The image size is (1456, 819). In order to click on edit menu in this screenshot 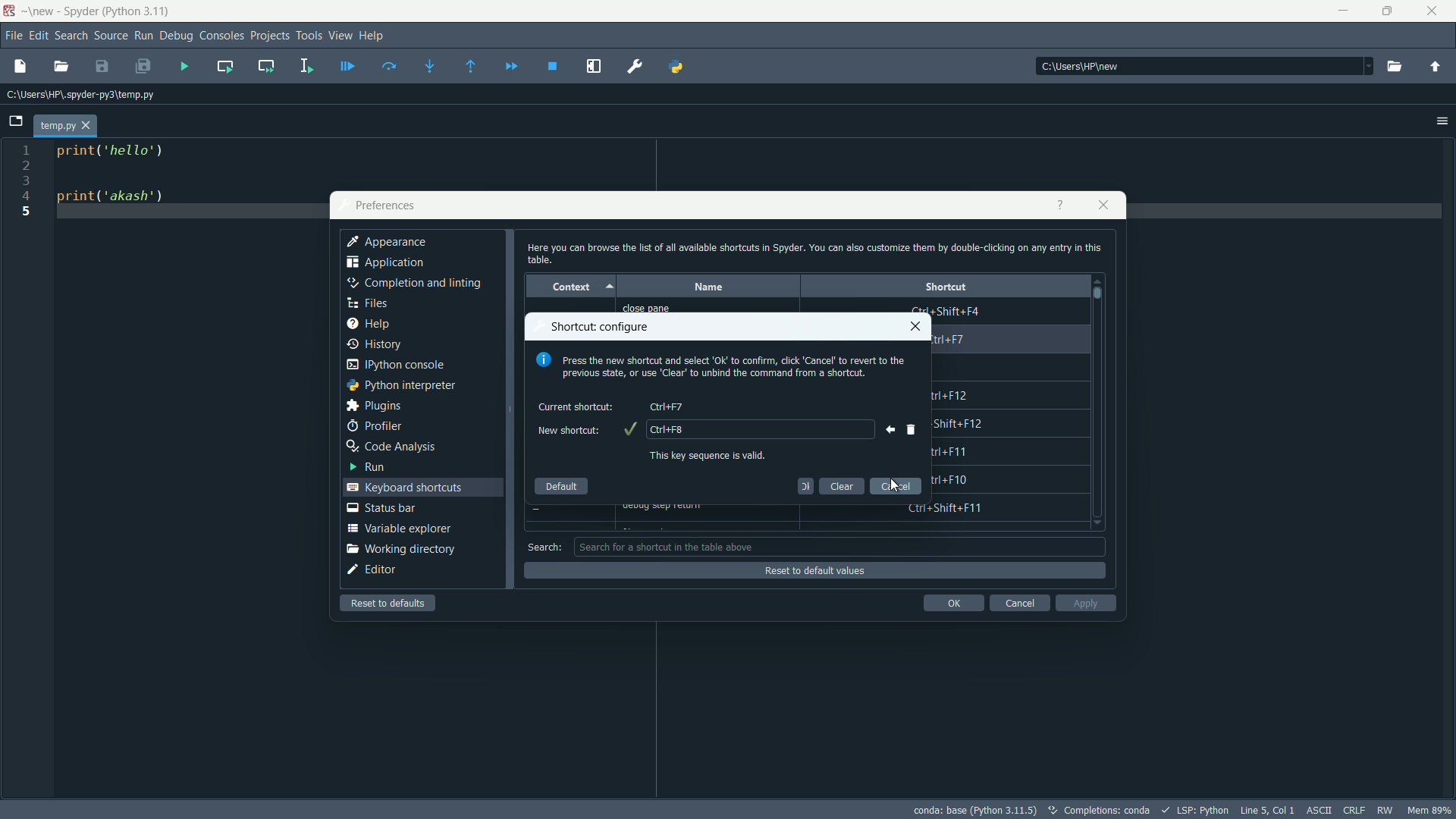, I will do `click(39, 36)`.